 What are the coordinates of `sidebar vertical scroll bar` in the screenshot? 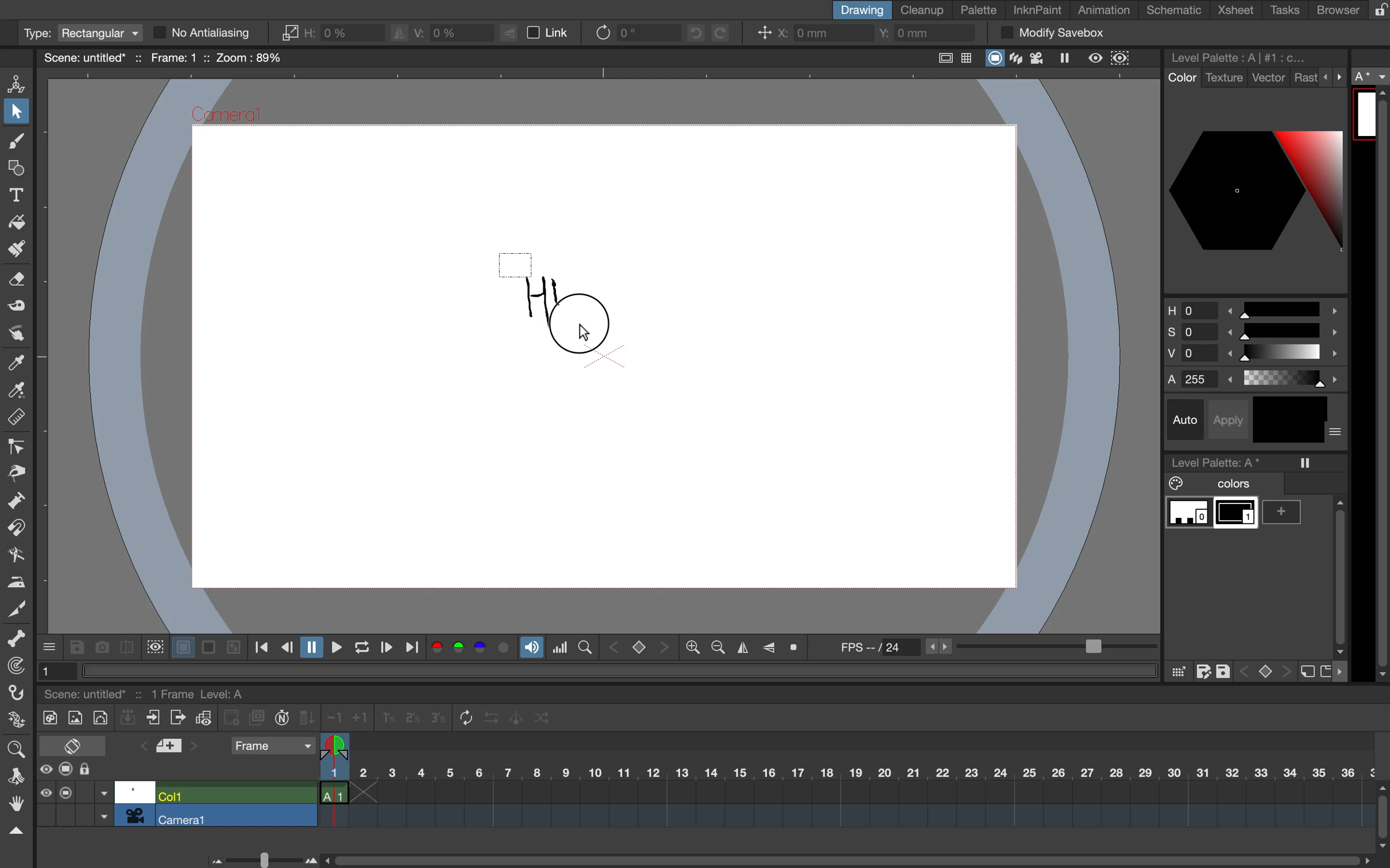 It's located at (1380, 385).